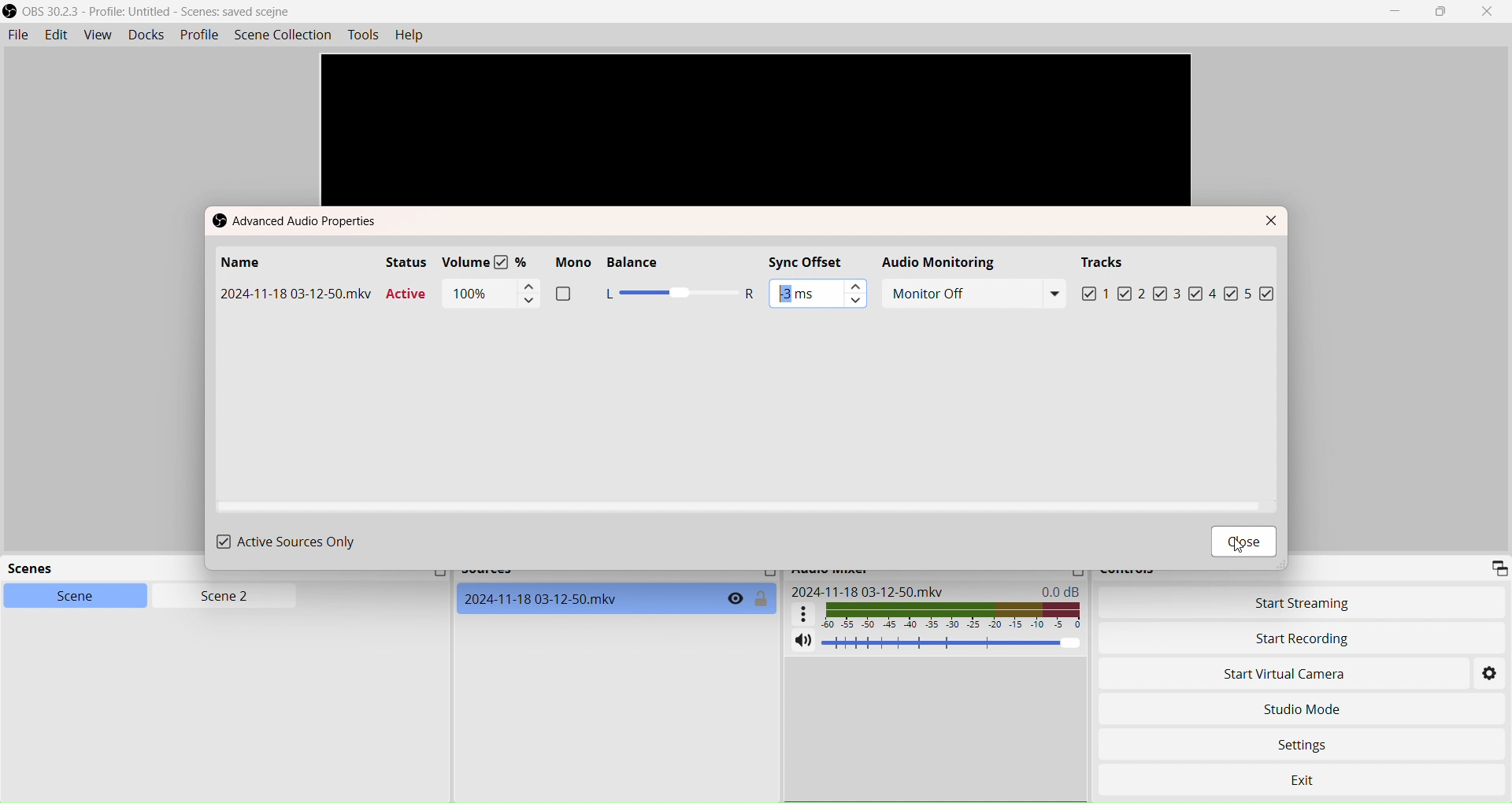  What do you see at coordinates (1492, 12) in the screenshot?
I see `Close` at bounding box center [1492, 12].